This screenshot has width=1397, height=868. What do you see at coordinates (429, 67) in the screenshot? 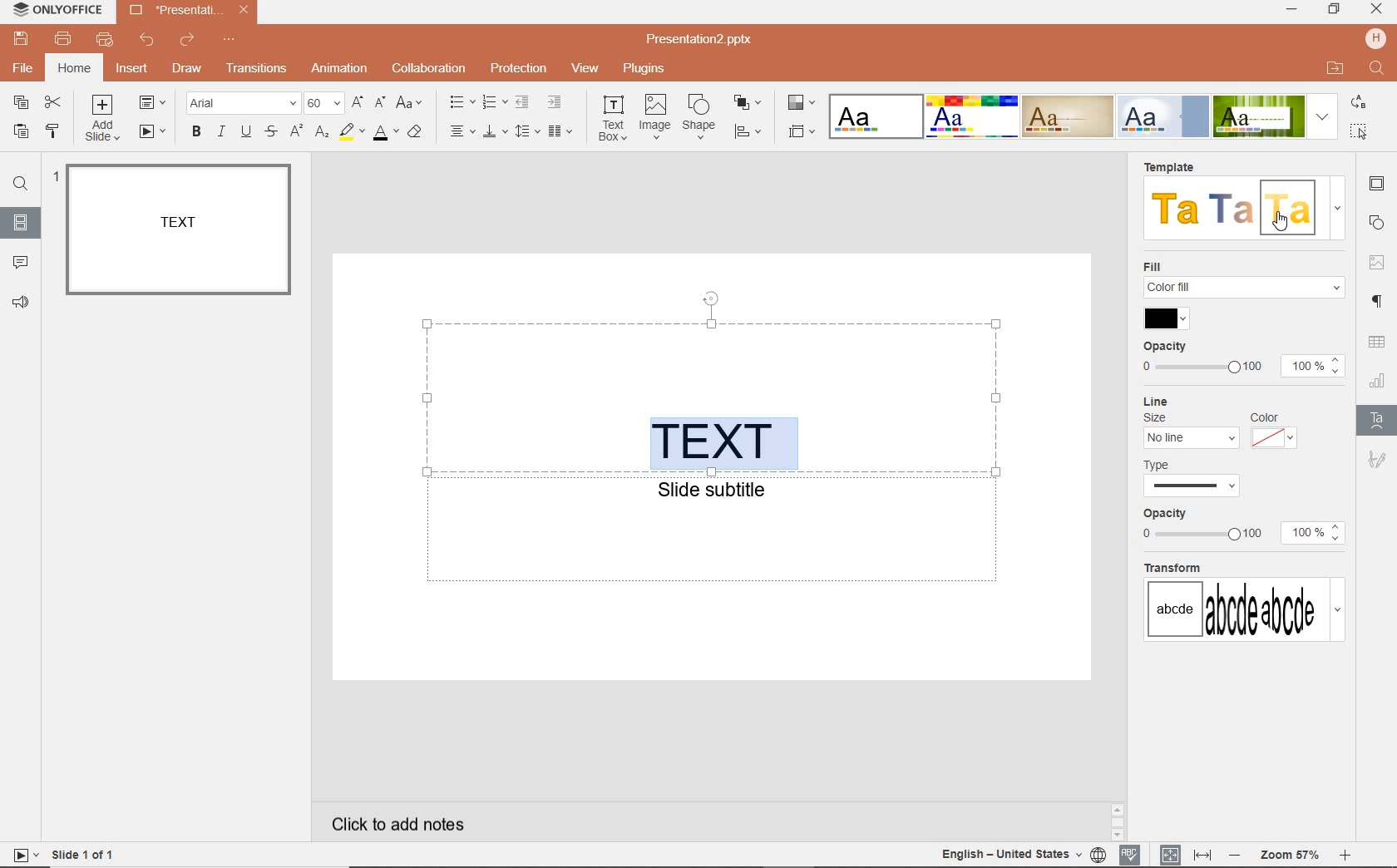
I see `COLLABORATION` at bounding box center [429, 67].